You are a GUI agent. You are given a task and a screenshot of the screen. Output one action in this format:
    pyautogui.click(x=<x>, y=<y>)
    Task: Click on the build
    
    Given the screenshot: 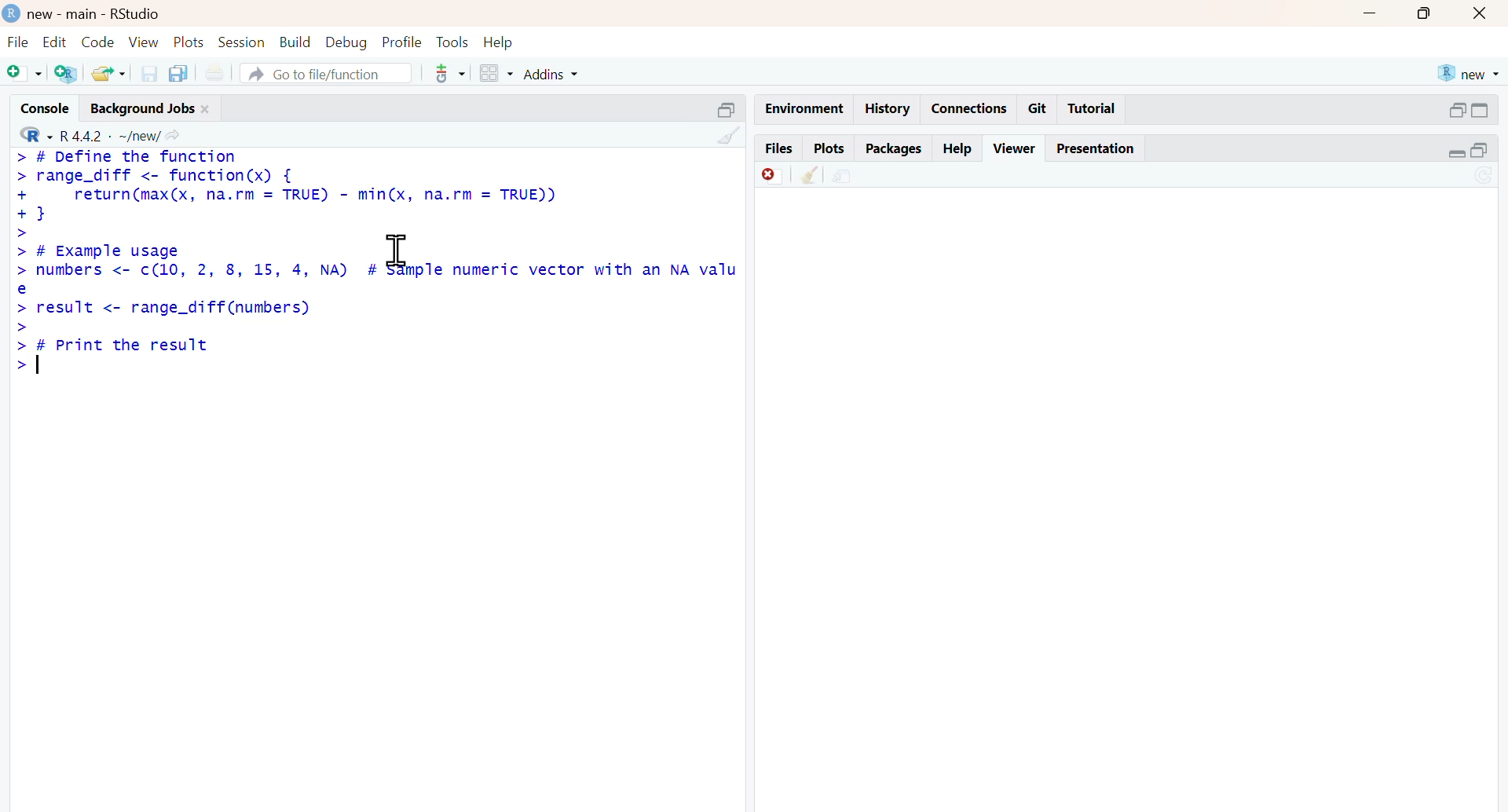 What is the action you would take?
    pyautogui.click(x=297, y=42)
    